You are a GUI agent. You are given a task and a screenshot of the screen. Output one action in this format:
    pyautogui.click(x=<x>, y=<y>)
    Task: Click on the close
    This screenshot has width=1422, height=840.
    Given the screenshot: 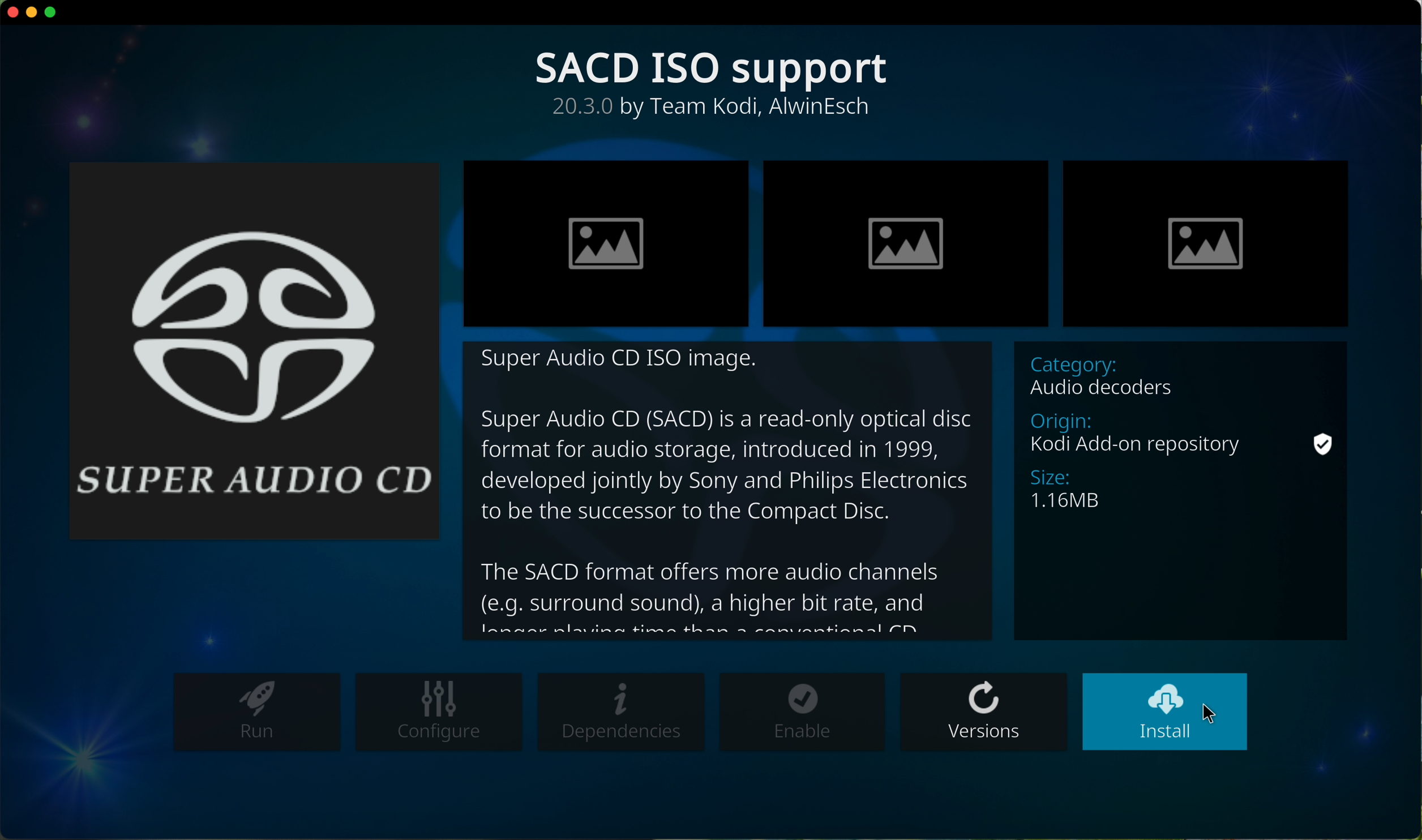 What is the action you would take?
    pyautogui.click(x=10, y=12)
    